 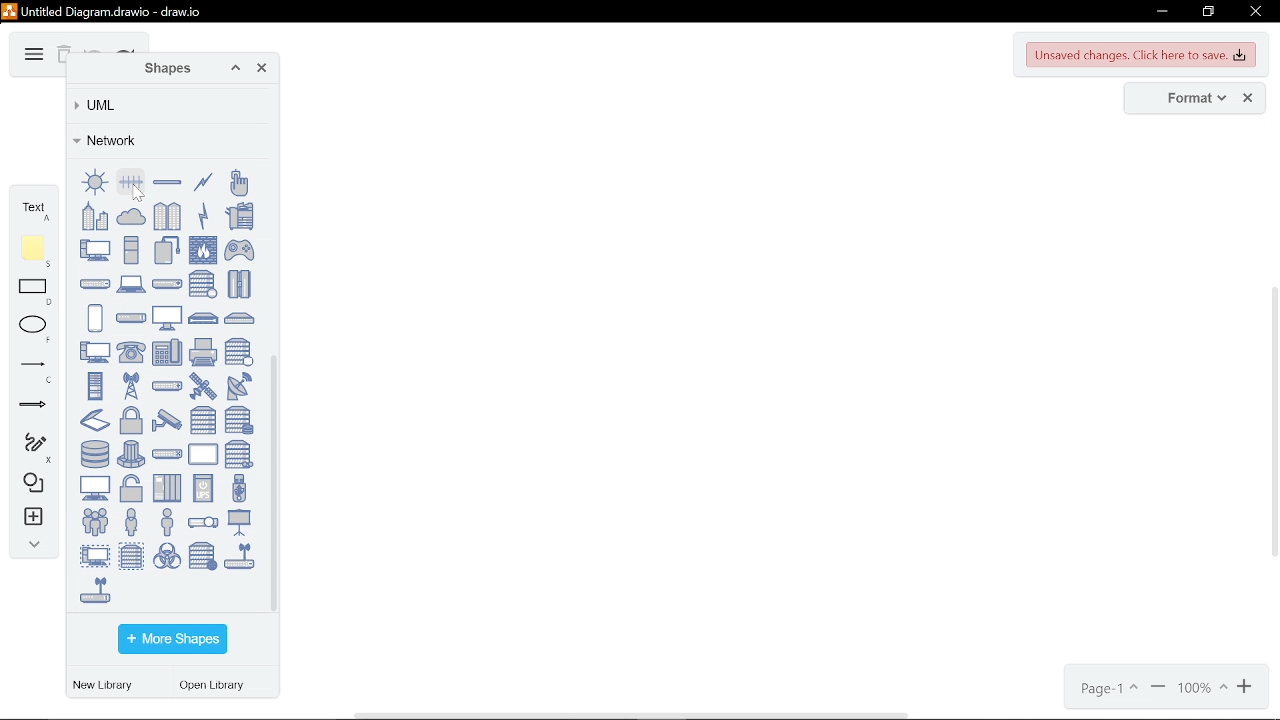 I want to click on virtual PC, so click(x=95, y=555).